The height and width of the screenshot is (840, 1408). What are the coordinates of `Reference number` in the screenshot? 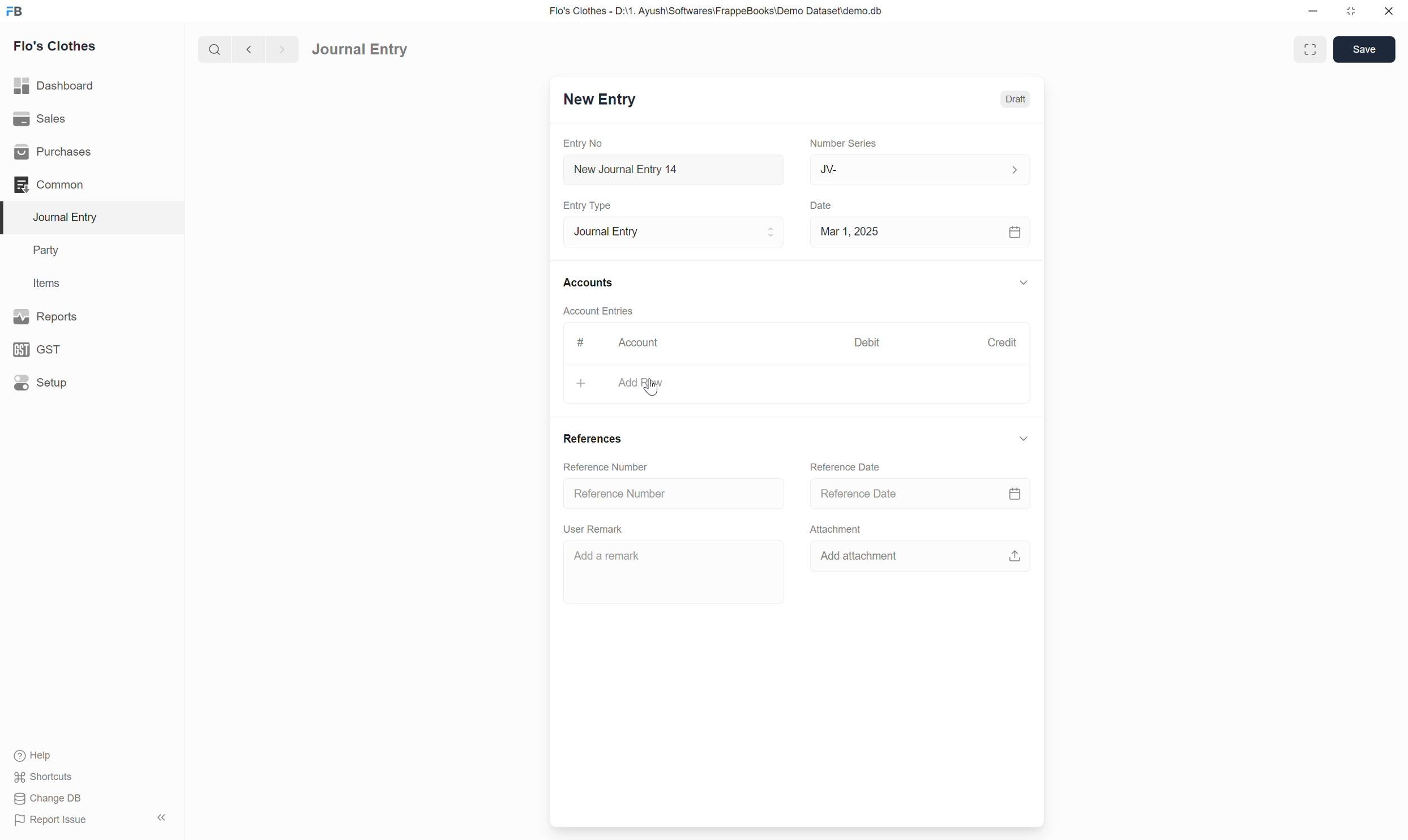 It's located at (645, 492).